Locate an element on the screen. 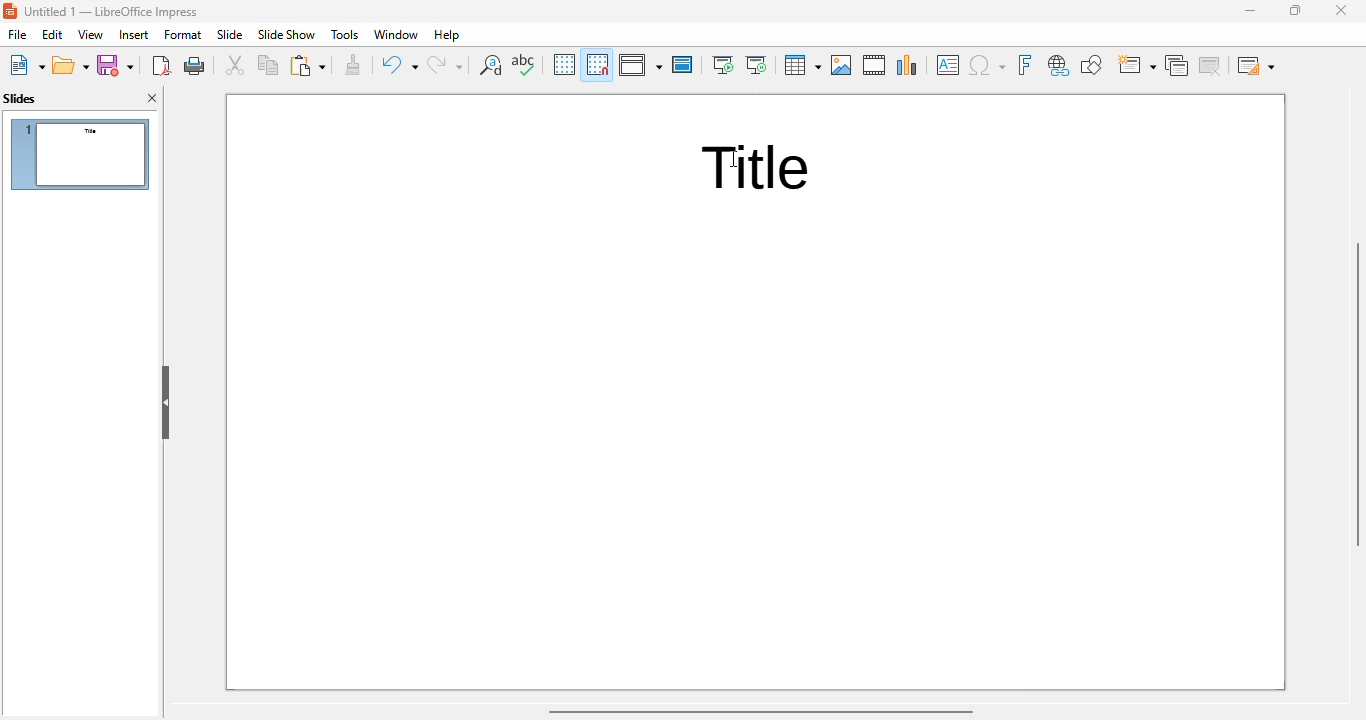  paste is located at coordinates (308, 65).